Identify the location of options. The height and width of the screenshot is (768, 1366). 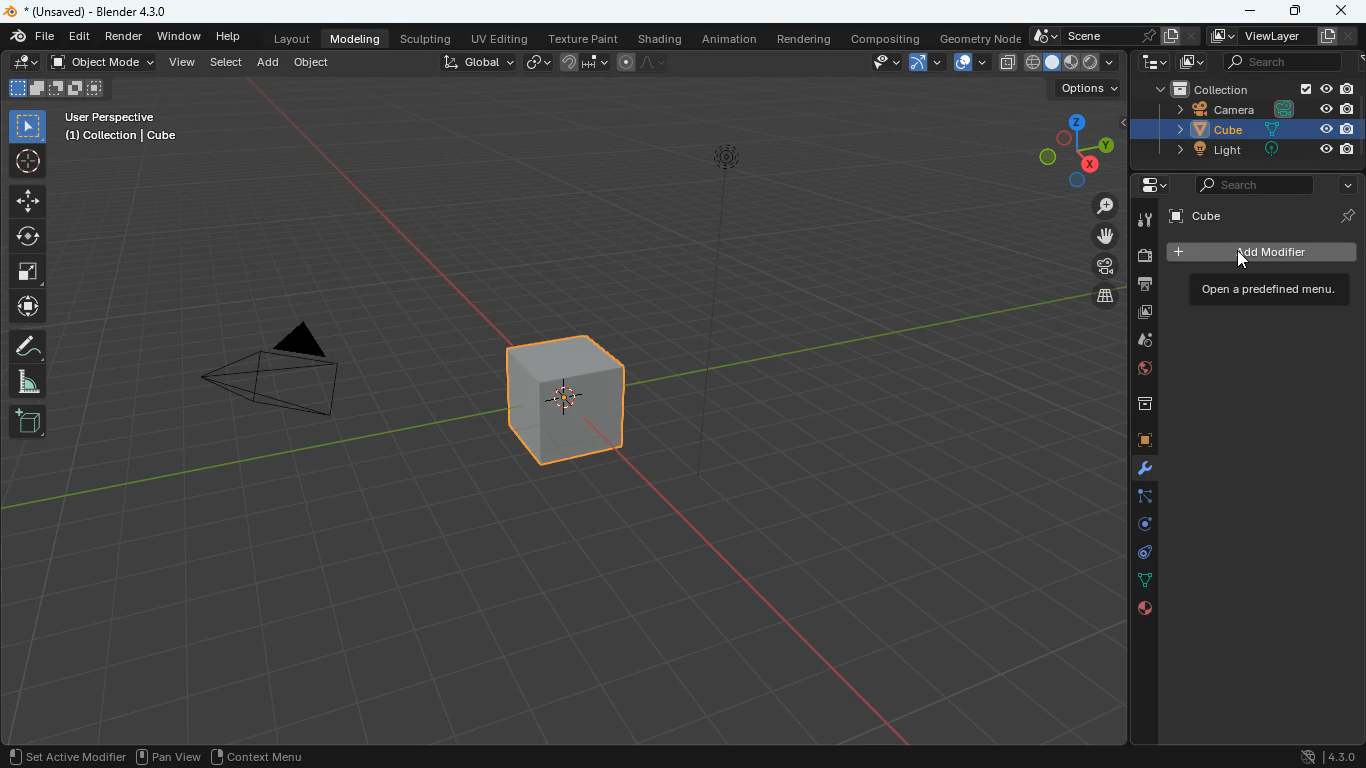
(1085, 91).